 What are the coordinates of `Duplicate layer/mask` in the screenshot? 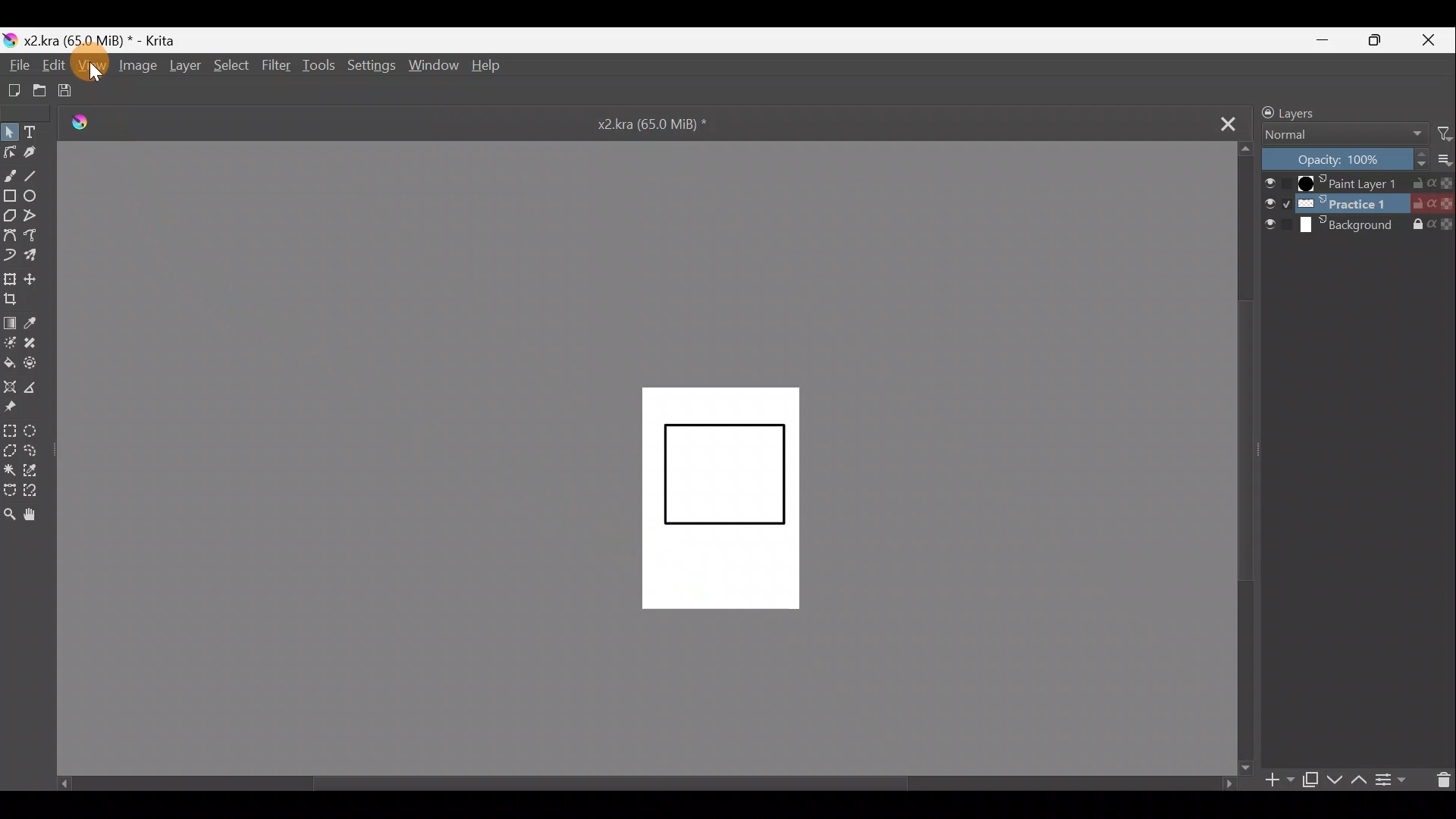 It's located at (1312, 783).